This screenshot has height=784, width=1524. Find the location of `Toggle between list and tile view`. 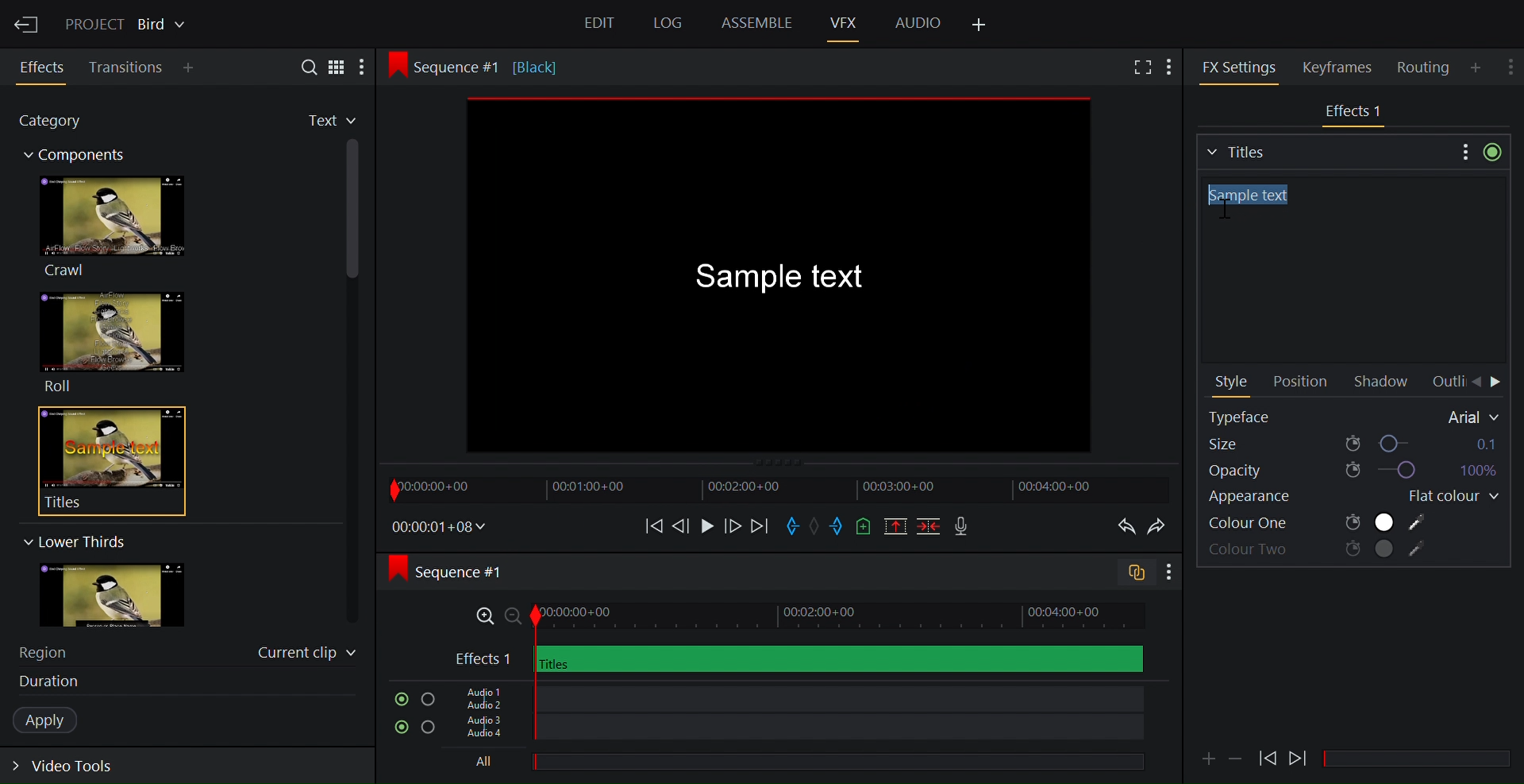

Toggle between list and tile view is located at coordinates (337, 66).